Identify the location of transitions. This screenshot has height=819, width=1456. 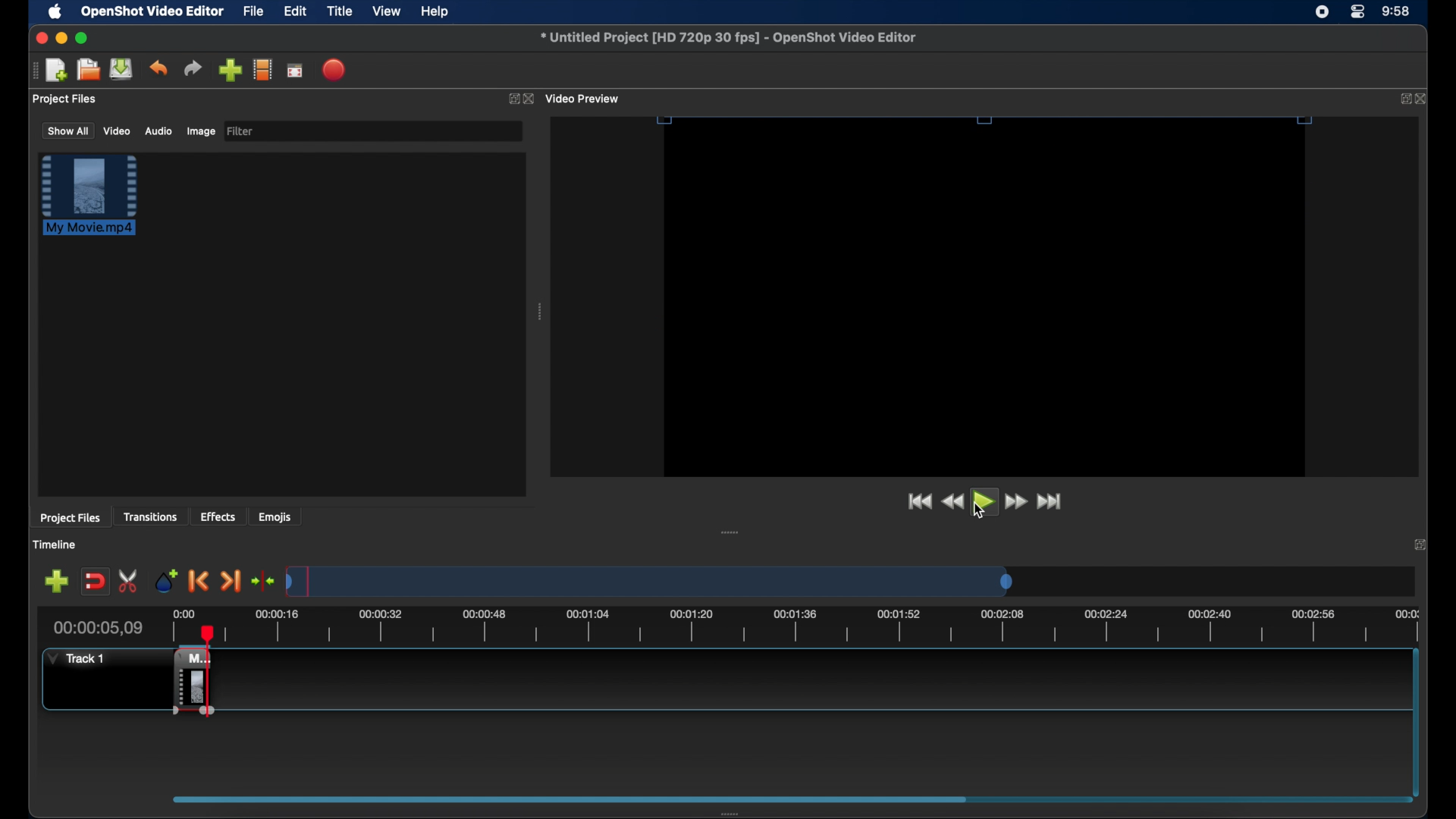
(150, 516).